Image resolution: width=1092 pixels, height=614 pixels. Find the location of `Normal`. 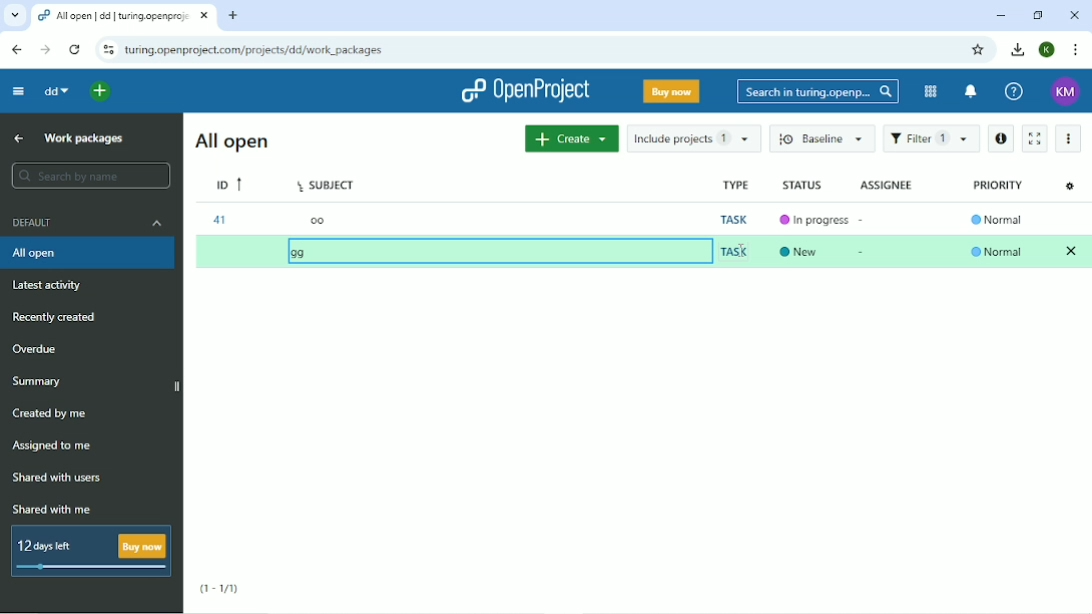

Normal is located at coordinates (997, 219).